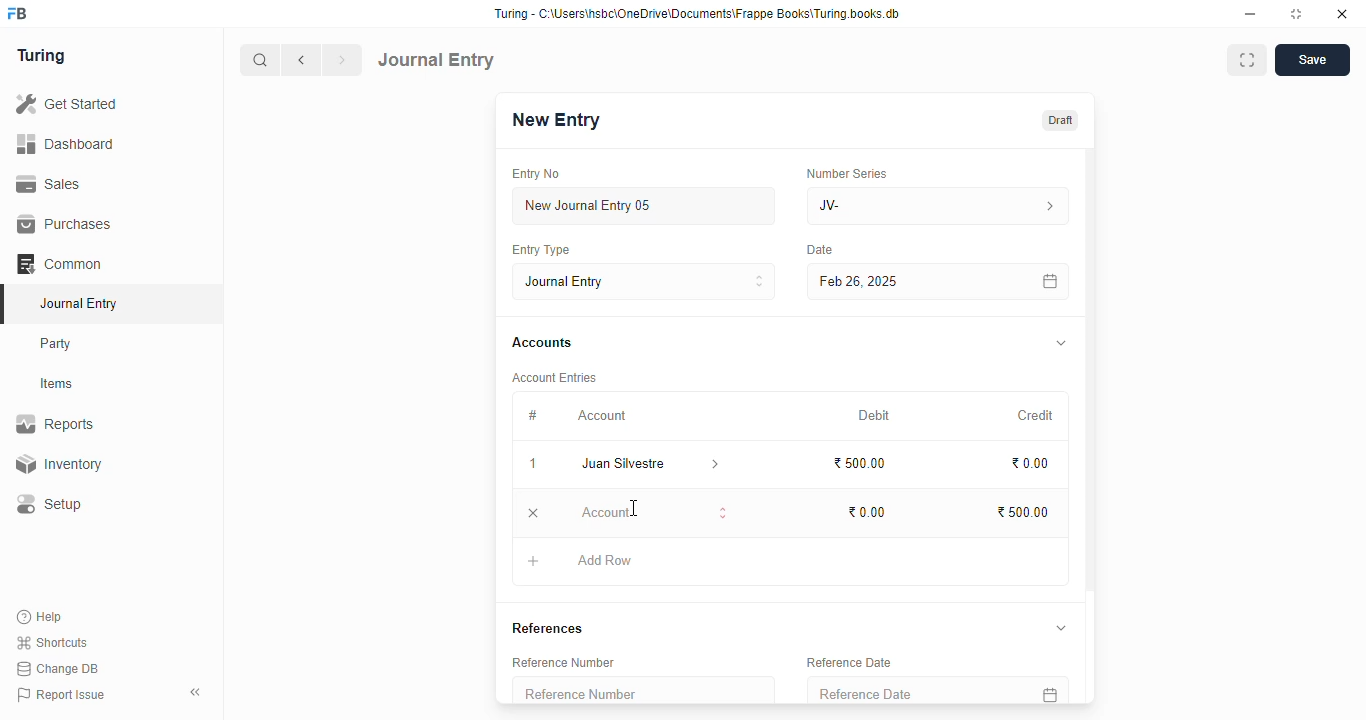 This screenshot has height=720, width=1366. I want to click on inventory, so click(58, 464).